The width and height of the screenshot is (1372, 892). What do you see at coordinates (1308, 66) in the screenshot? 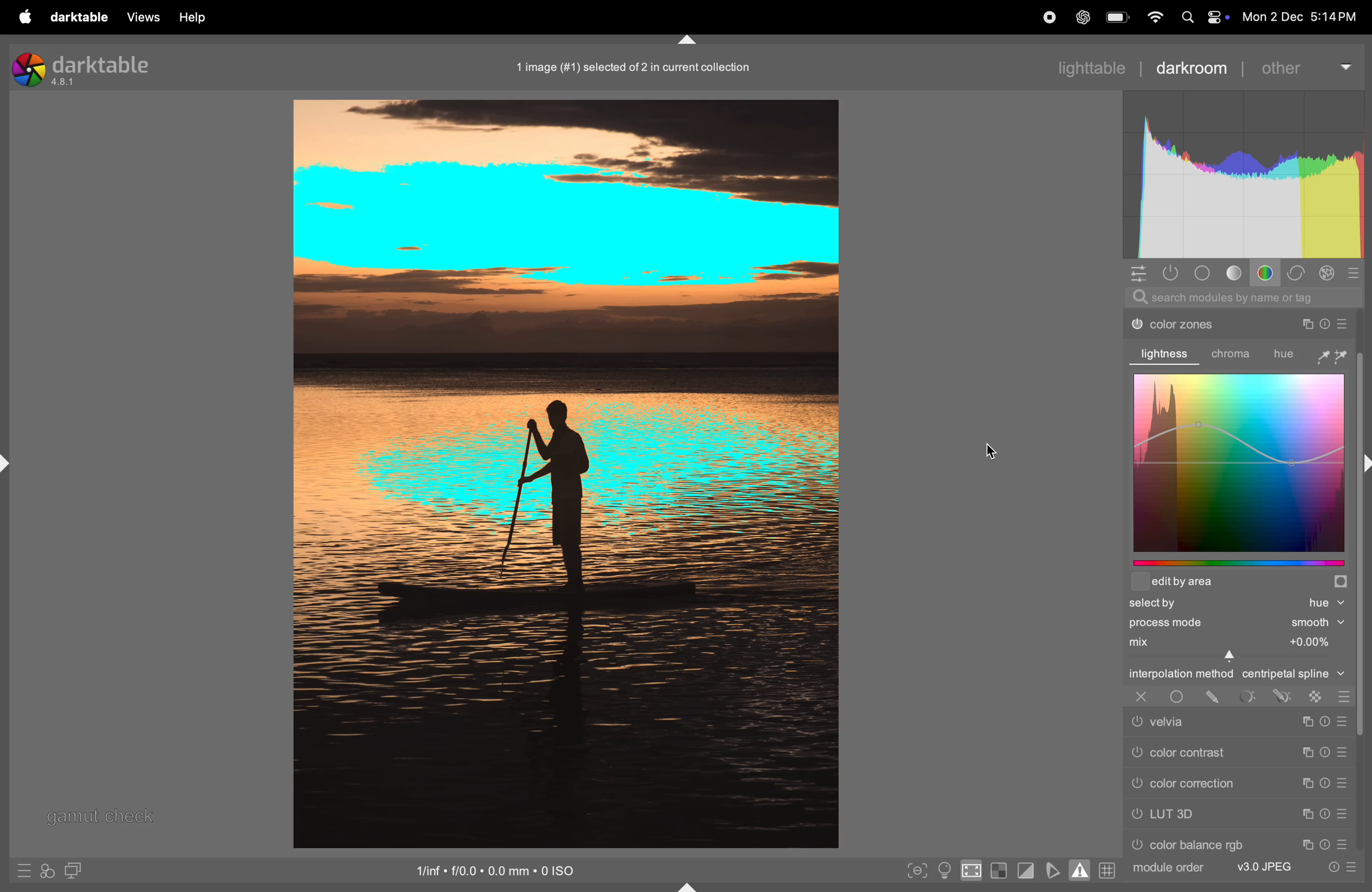
I see `other` at bounding box center [1308, 66].